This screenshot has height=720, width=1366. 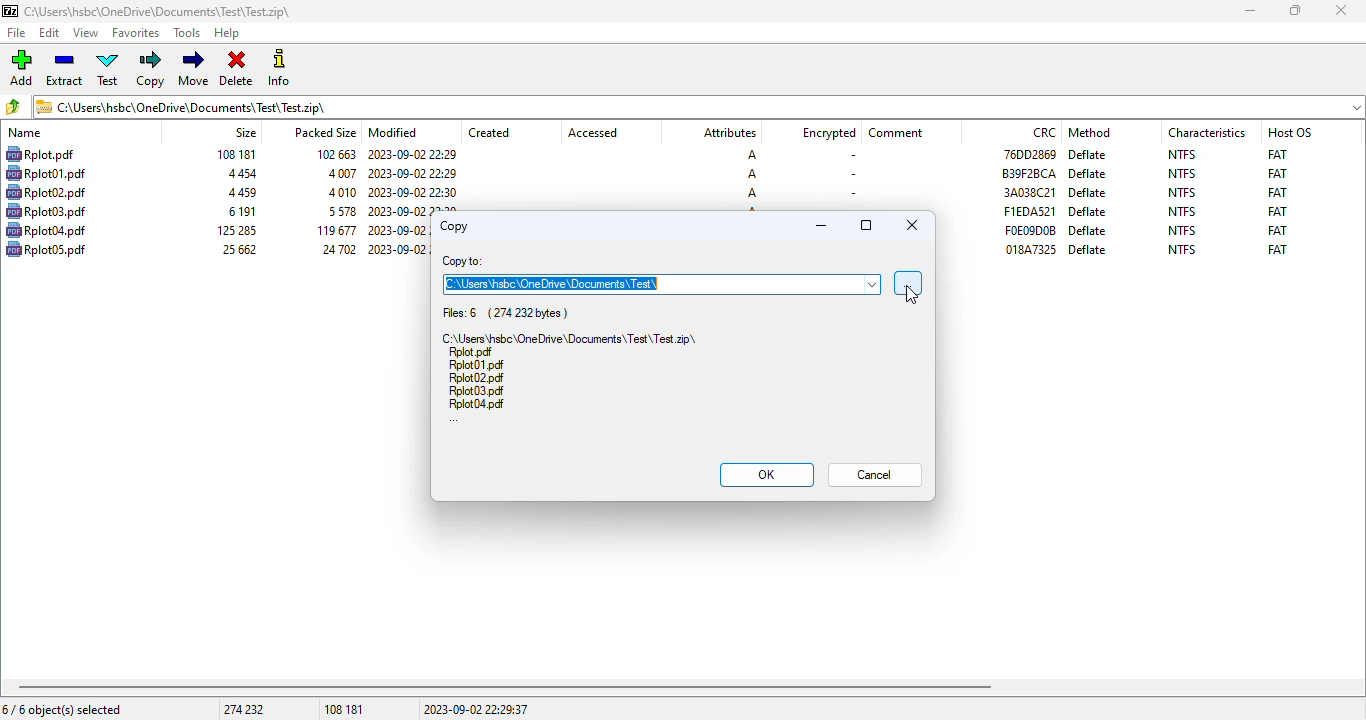 What do you see at coordinates (46, 173) in the screenshot?
I see `file` at bounding box center [46, 173].